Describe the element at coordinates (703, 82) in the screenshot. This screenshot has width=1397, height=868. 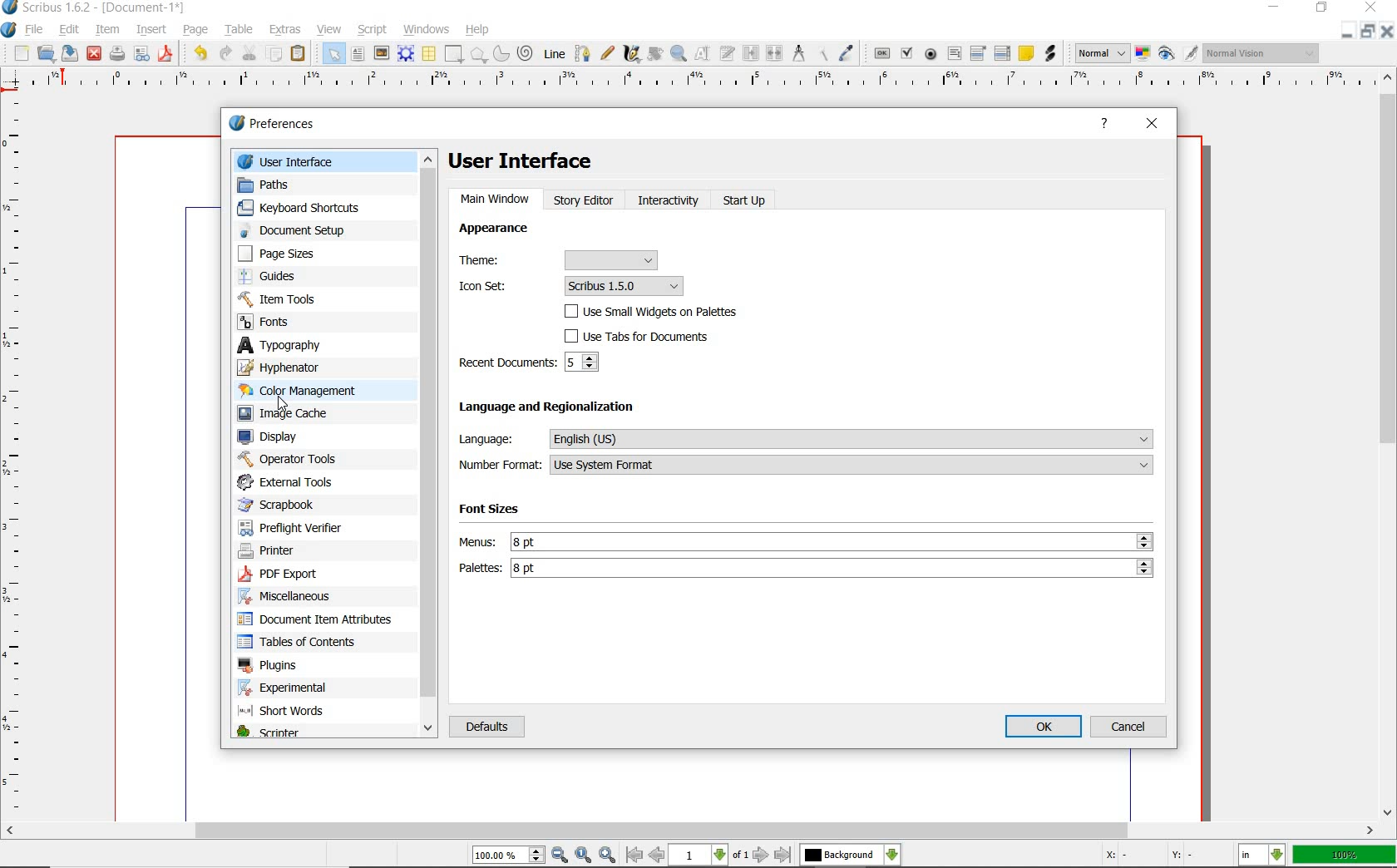
I see `ruler` at that location.